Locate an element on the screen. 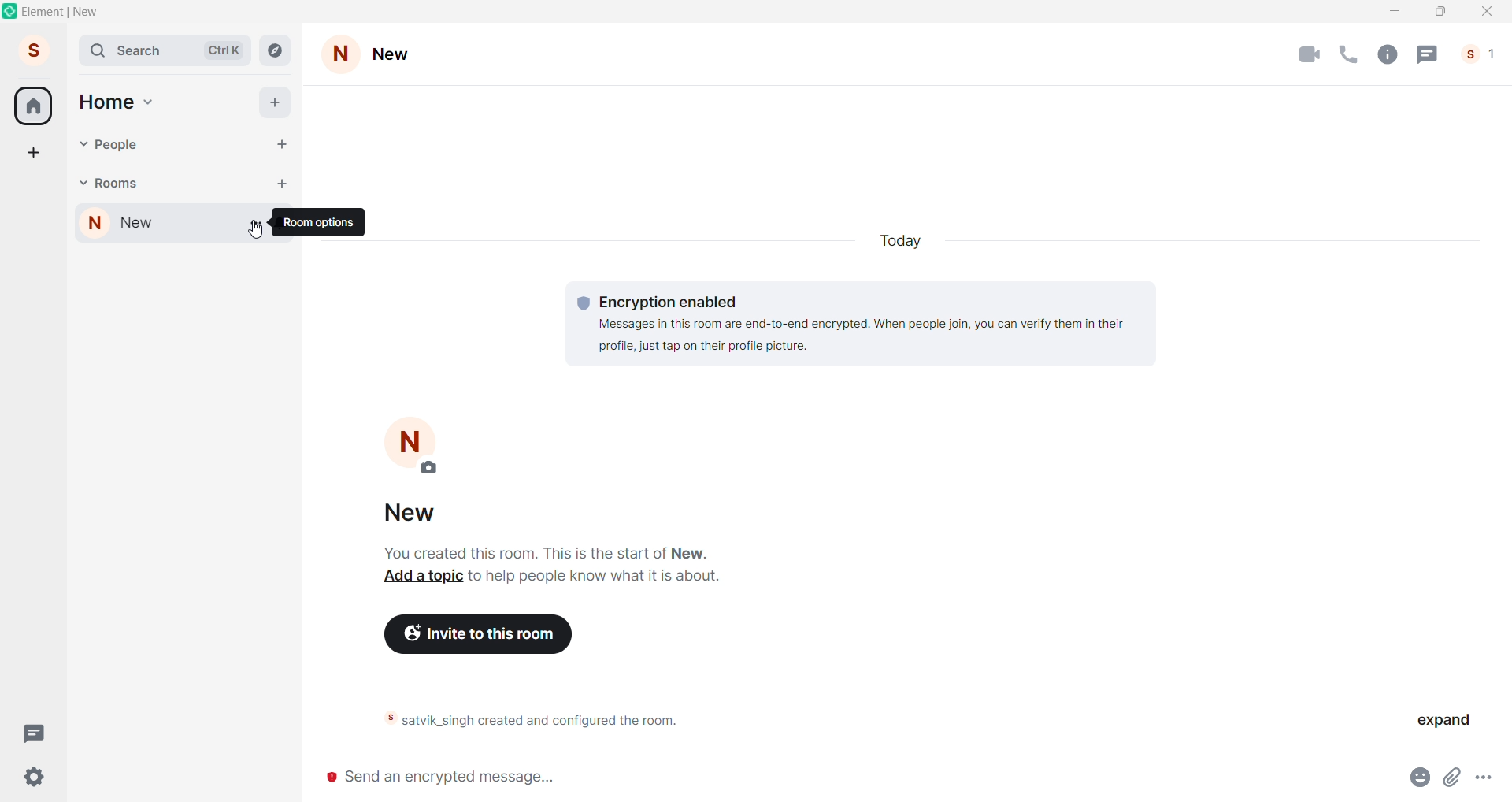 This screenshot has height=802, width=1512. Search  ctrl k is located at coordinates (164, 50).